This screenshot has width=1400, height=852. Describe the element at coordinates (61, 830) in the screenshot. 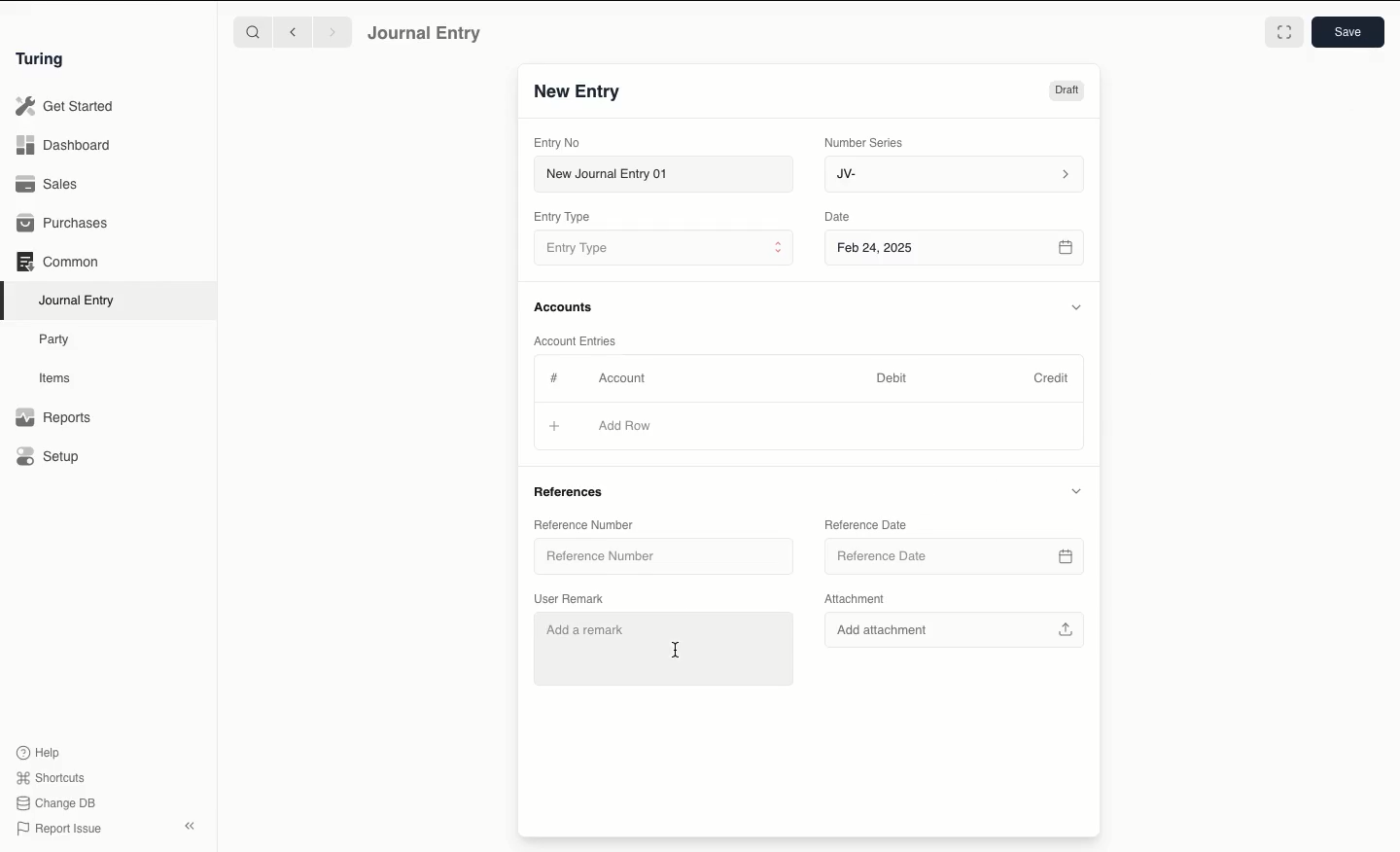

I see `Report Issue` at that location.